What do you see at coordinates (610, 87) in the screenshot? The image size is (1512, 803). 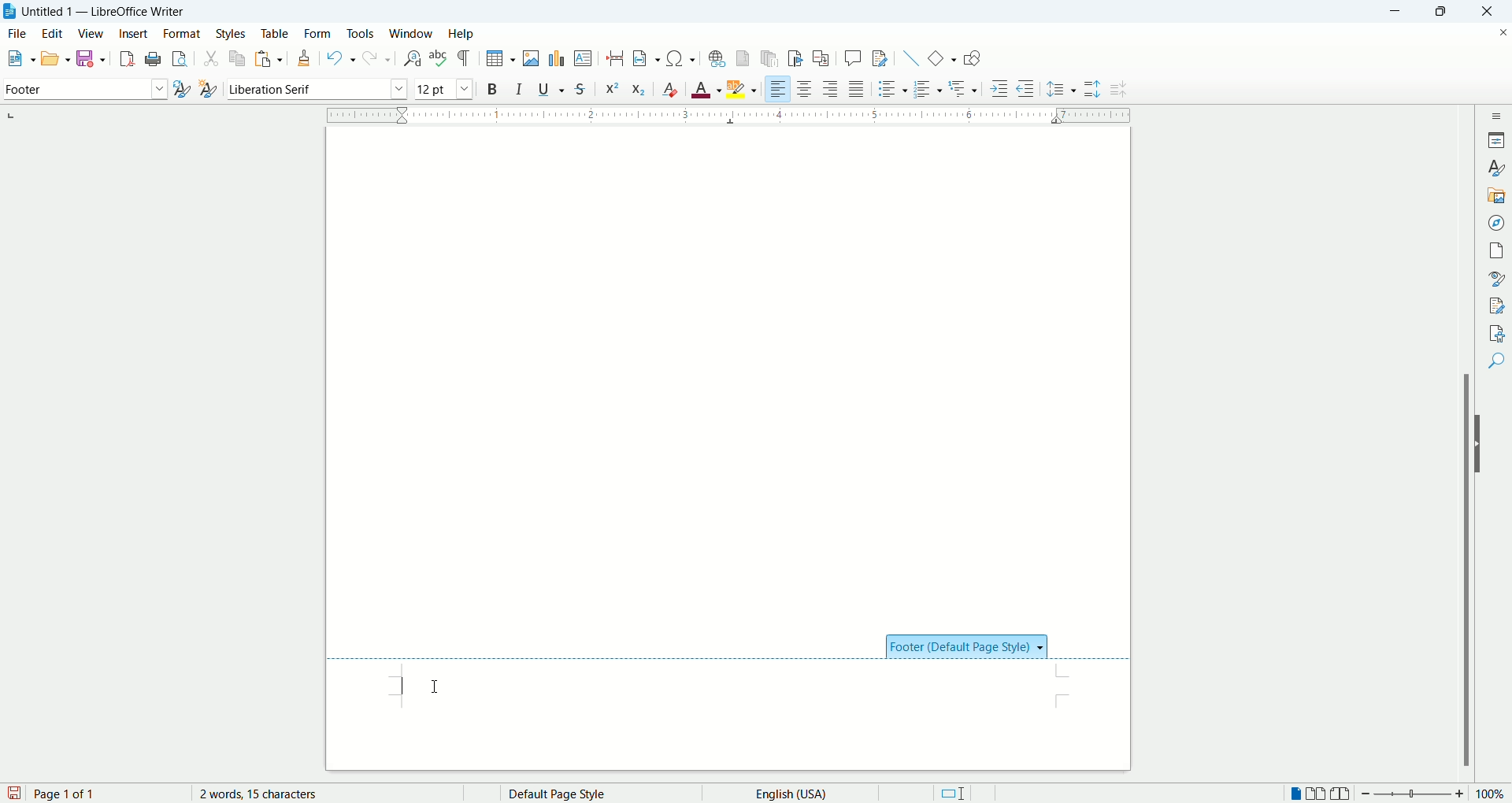 I see `superscript` at bounding box center [610, 87].